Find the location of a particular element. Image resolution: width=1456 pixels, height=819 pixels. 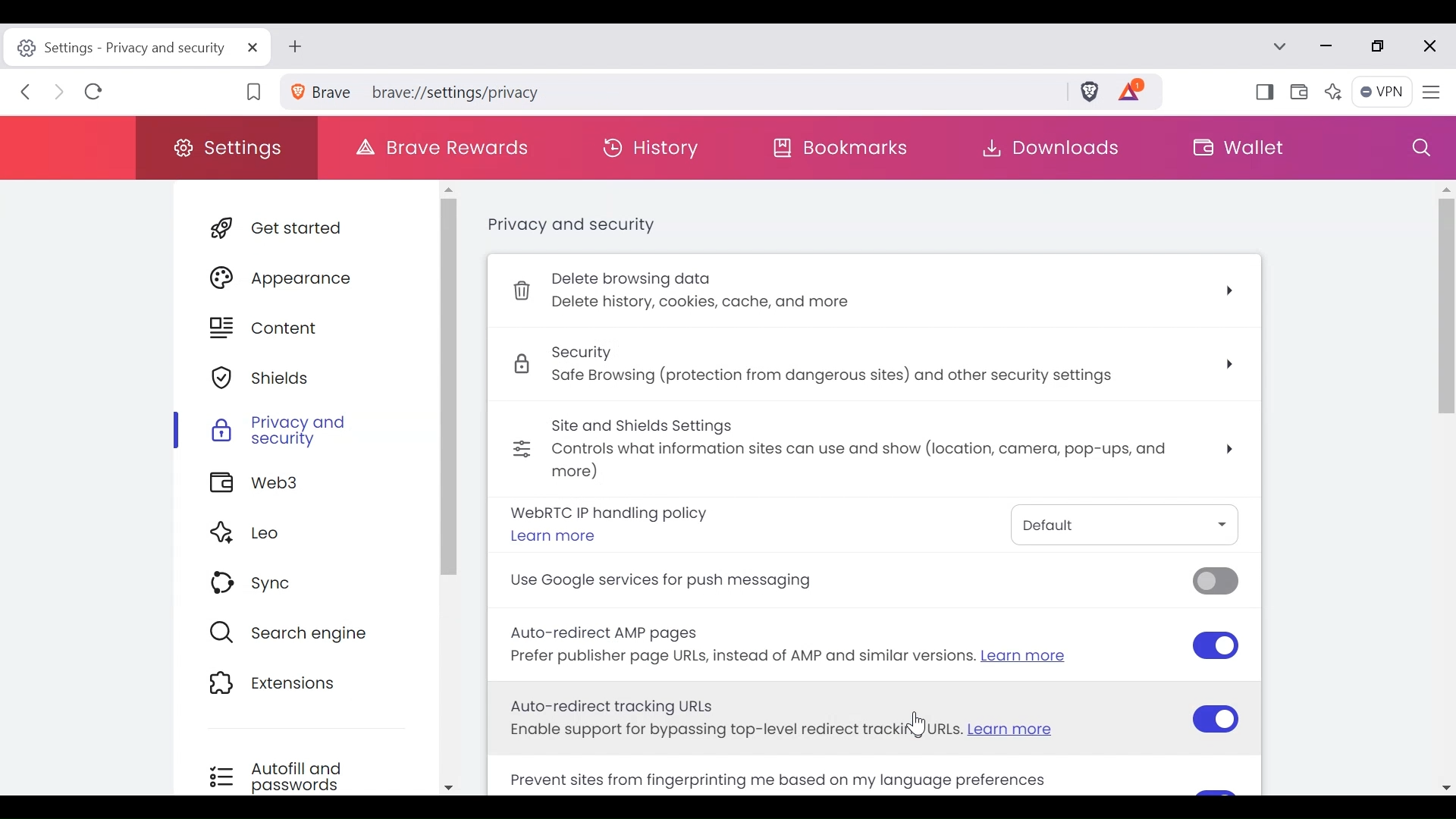

Refresh is located at coordinates (95, 94).